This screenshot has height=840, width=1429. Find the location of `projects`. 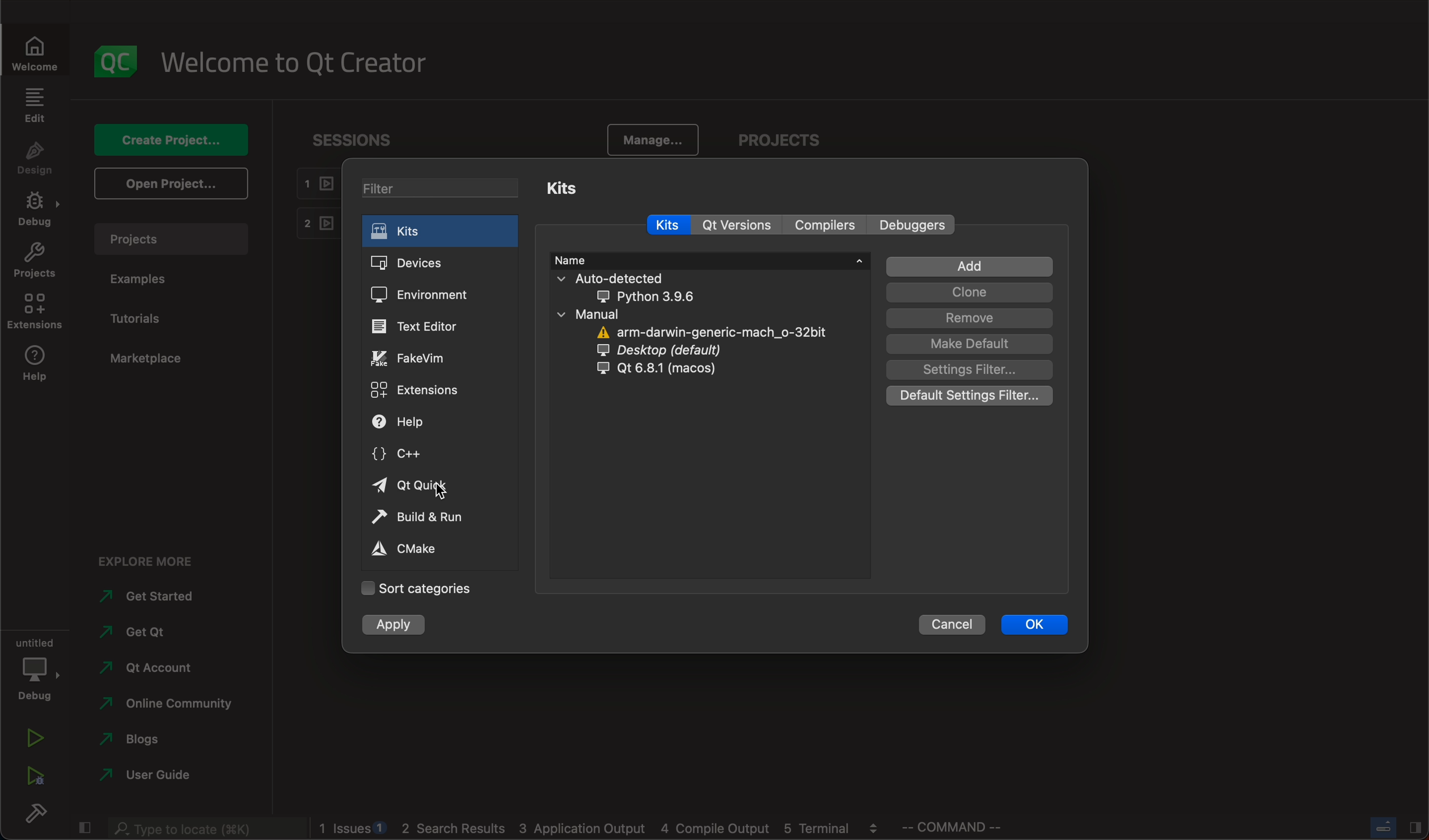

projects is located at coordinates (169, 239).